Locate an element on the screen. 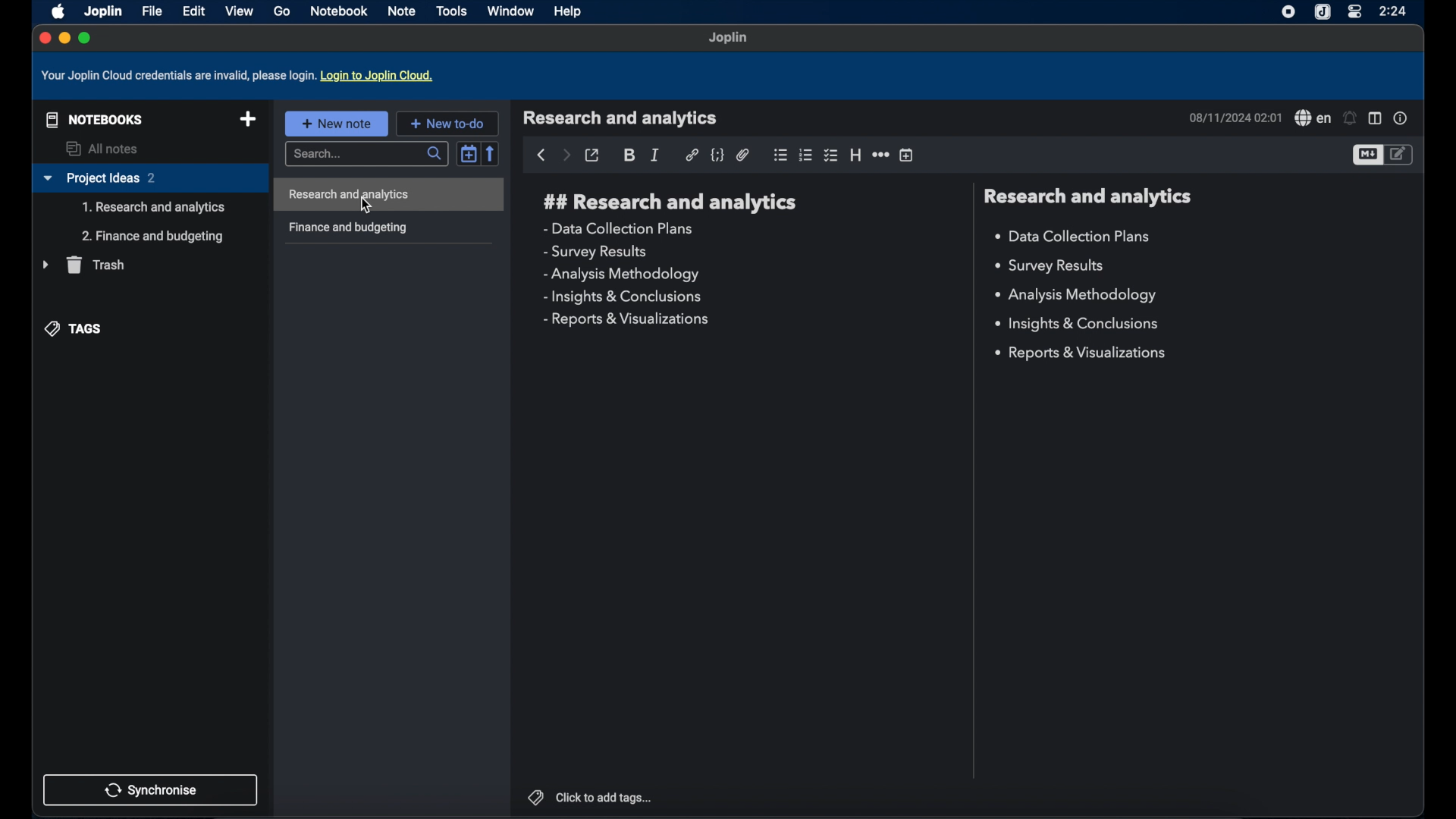 The height and width of the screenshot is (819, 1456). notebooks is located at coordinates (91, 118).